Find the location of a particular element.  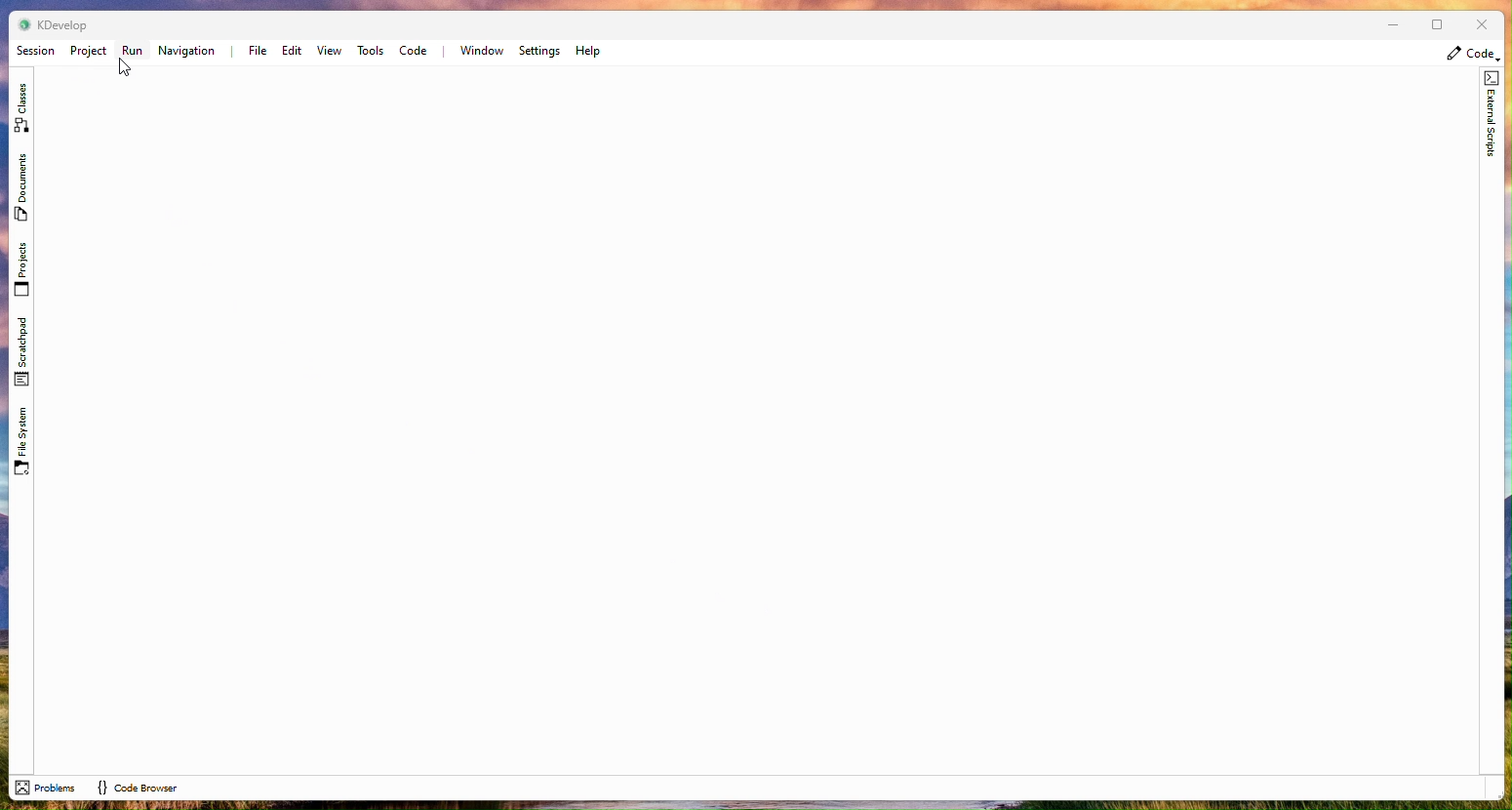

Session is located at coordinates (35, 51).